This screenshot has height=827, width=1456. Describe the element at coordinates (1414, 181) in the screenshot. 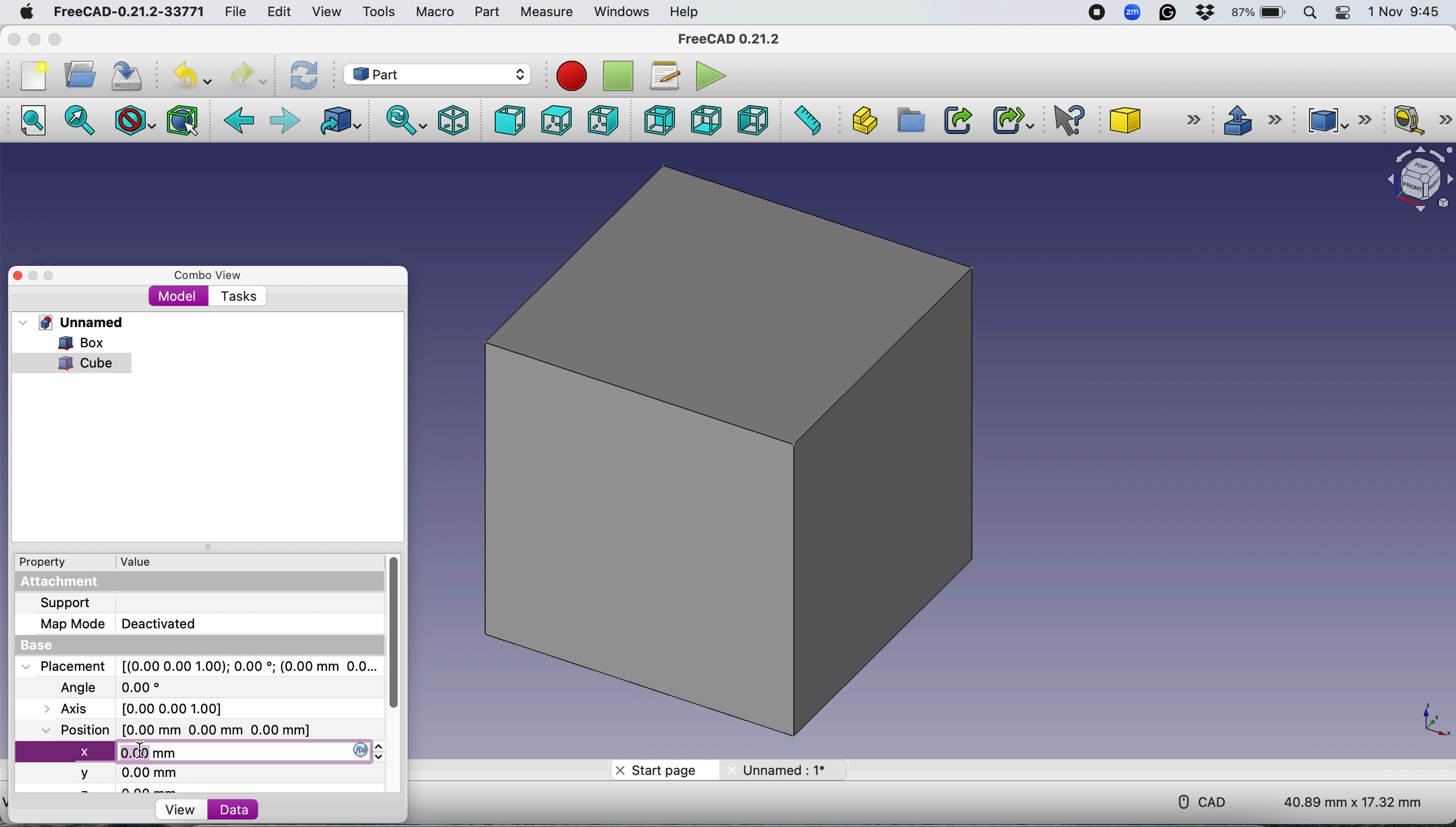

I see `Object interface` at that location.